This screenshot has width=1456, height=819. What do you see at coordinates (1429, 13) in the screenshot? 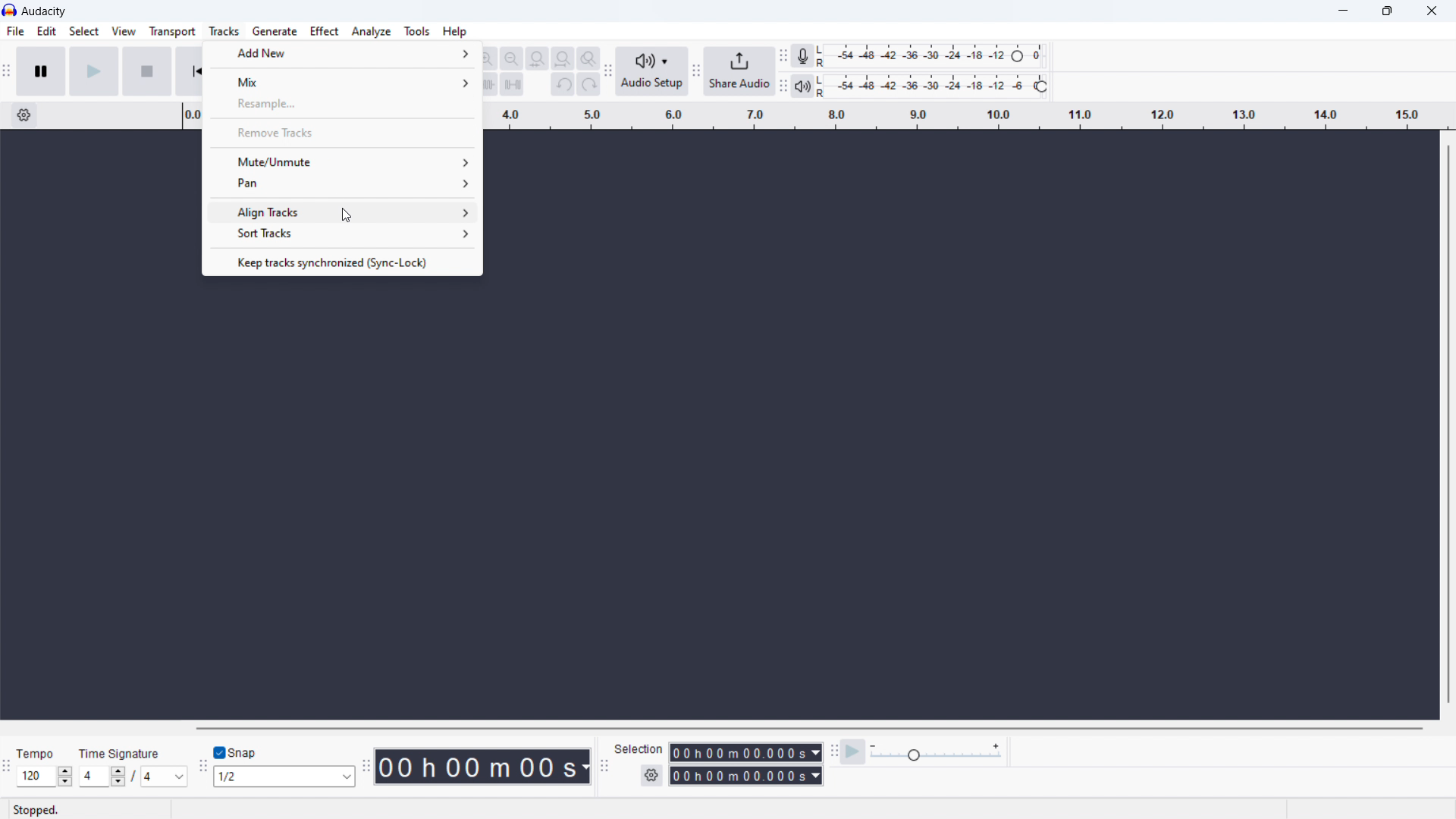
I see `close` at bounding box center [1429, 13].